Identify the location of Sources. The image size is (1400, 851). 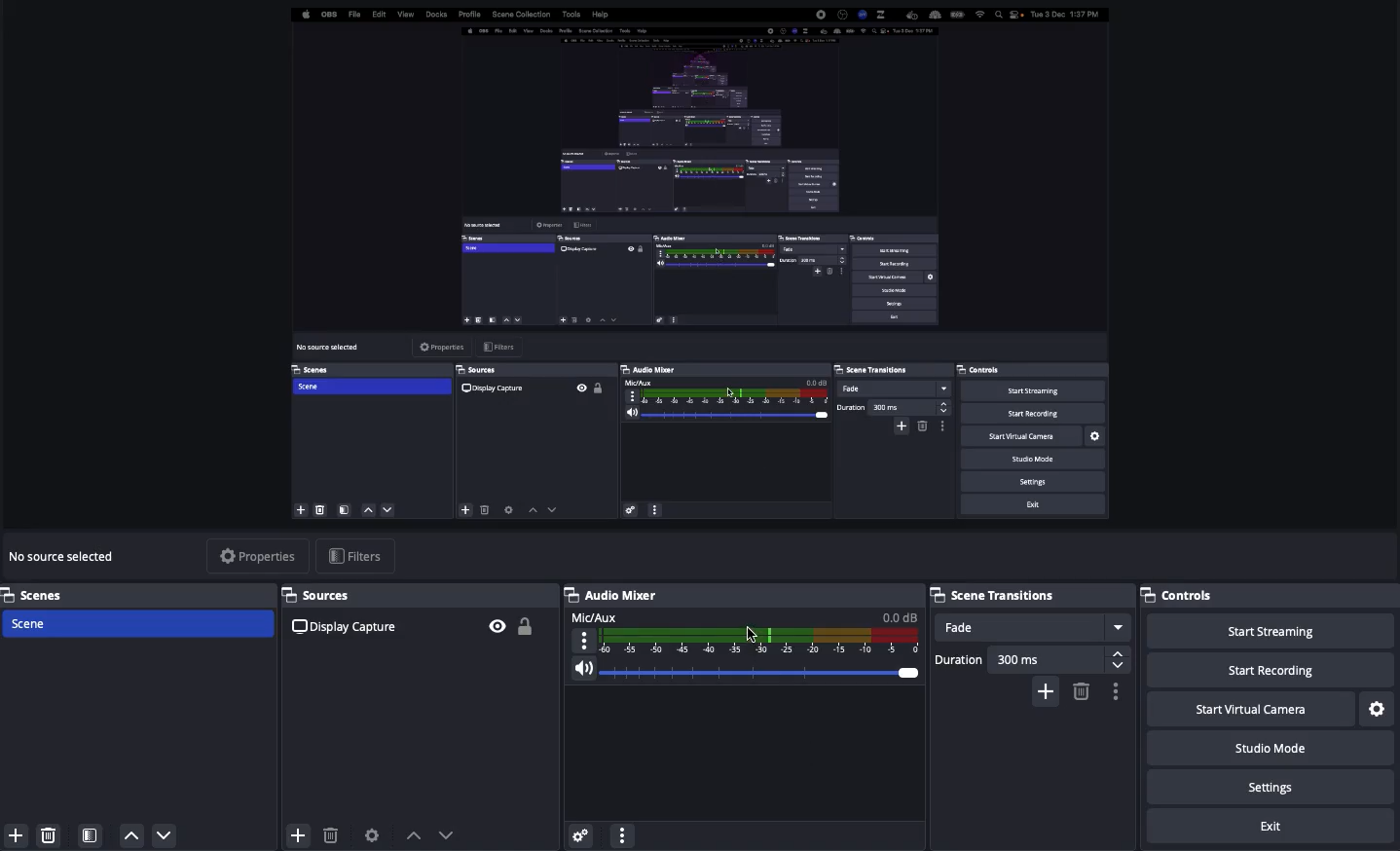
(317, 595).